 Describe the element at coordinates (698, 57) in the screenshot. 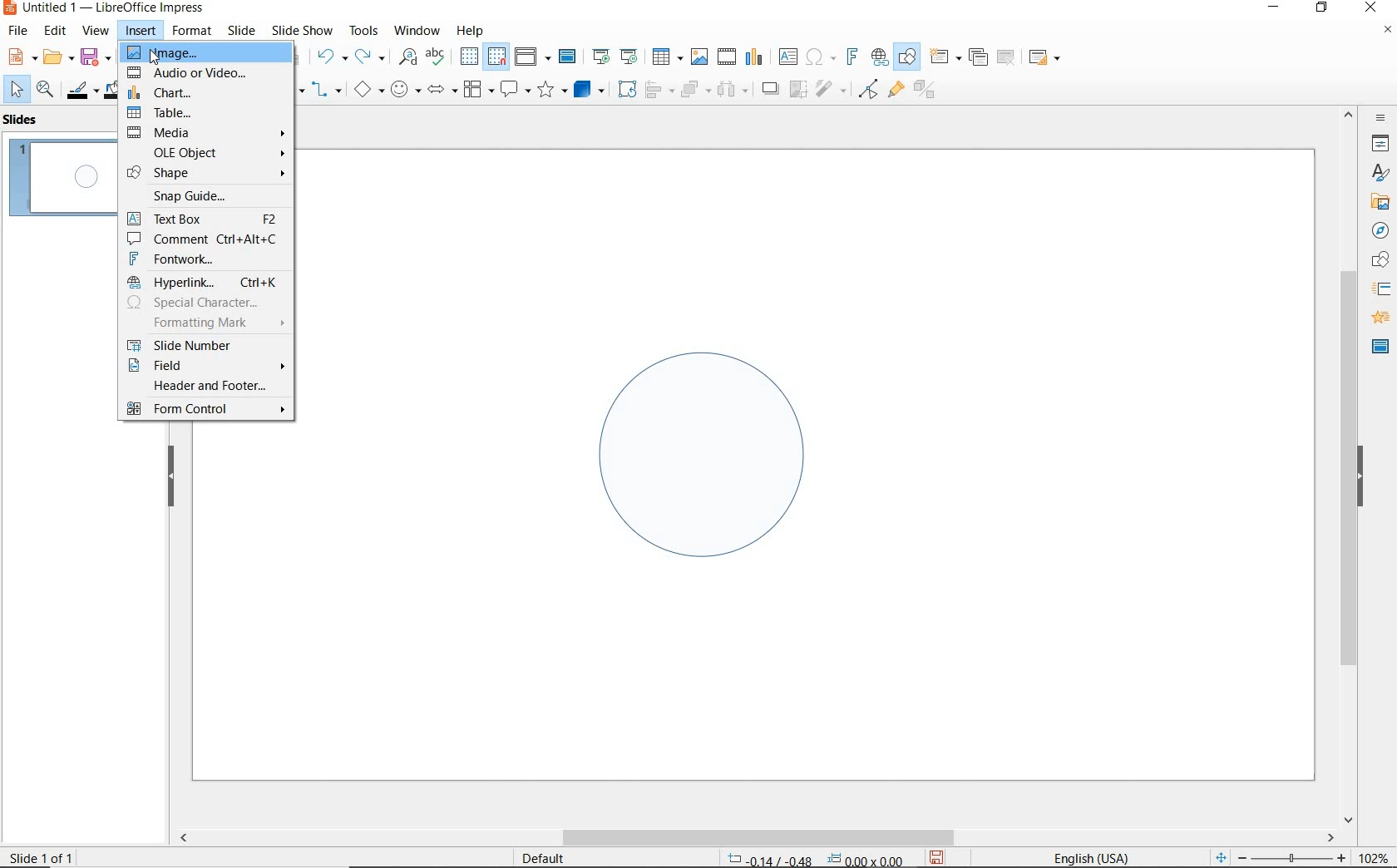

I see `insert image` at that location.